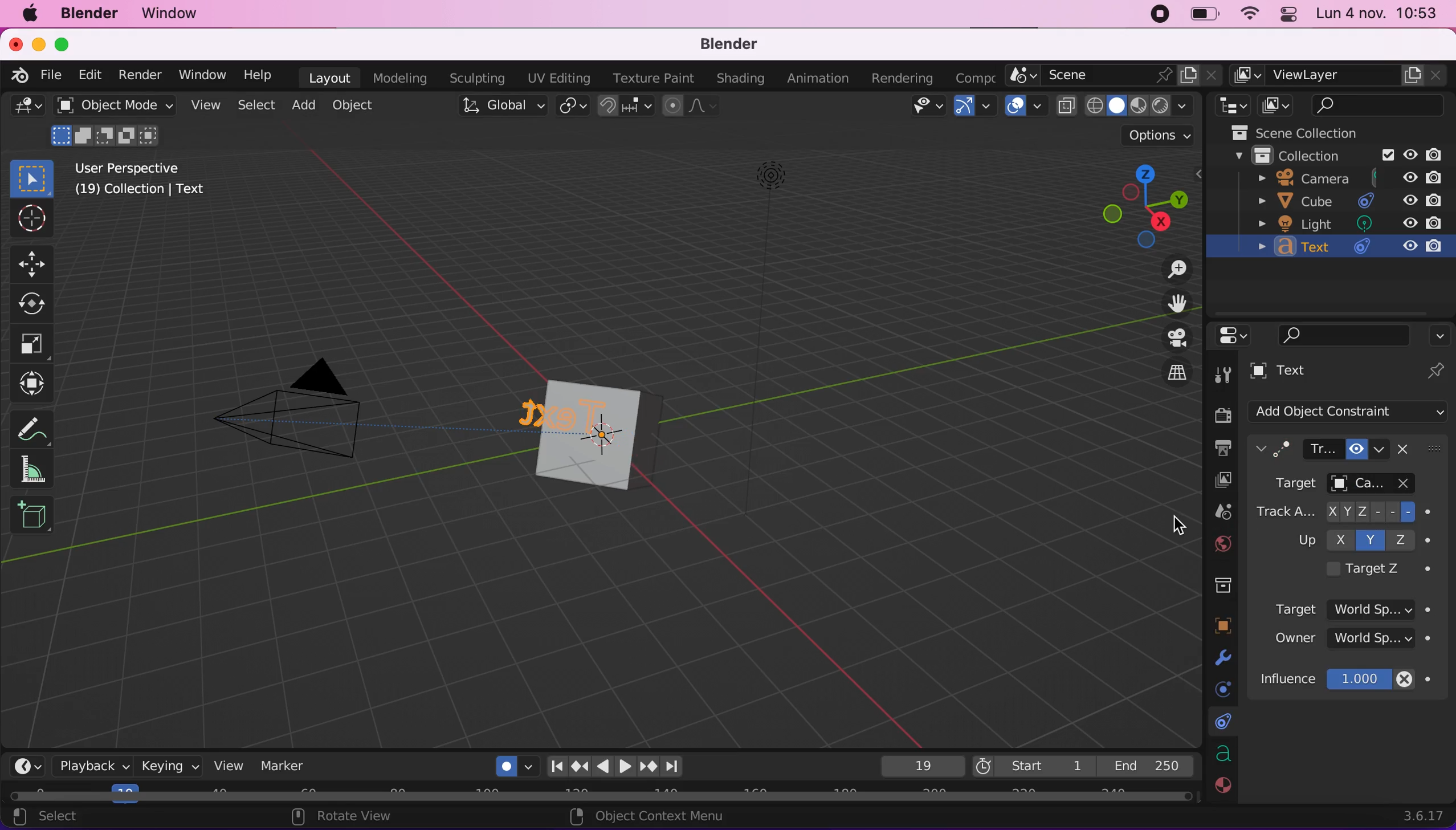 The image size is (1456, 830). What do you see at coordinates (64, 43) in the screenshot?
I see `maximize` at bounding box center [64, 43].